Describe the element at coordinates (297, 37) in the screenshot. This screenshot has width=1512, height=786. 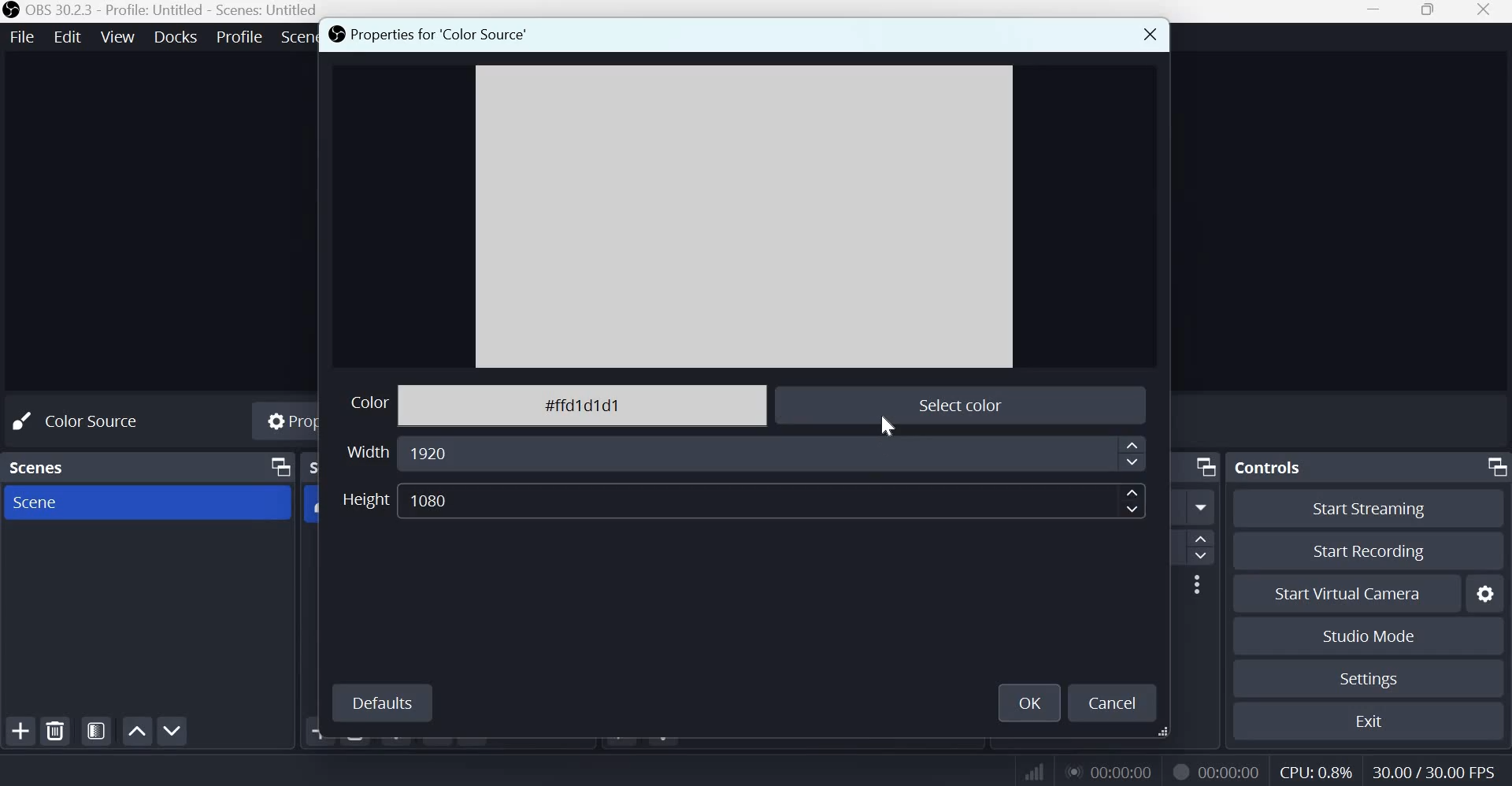
I see `Scene Collection` at that location.